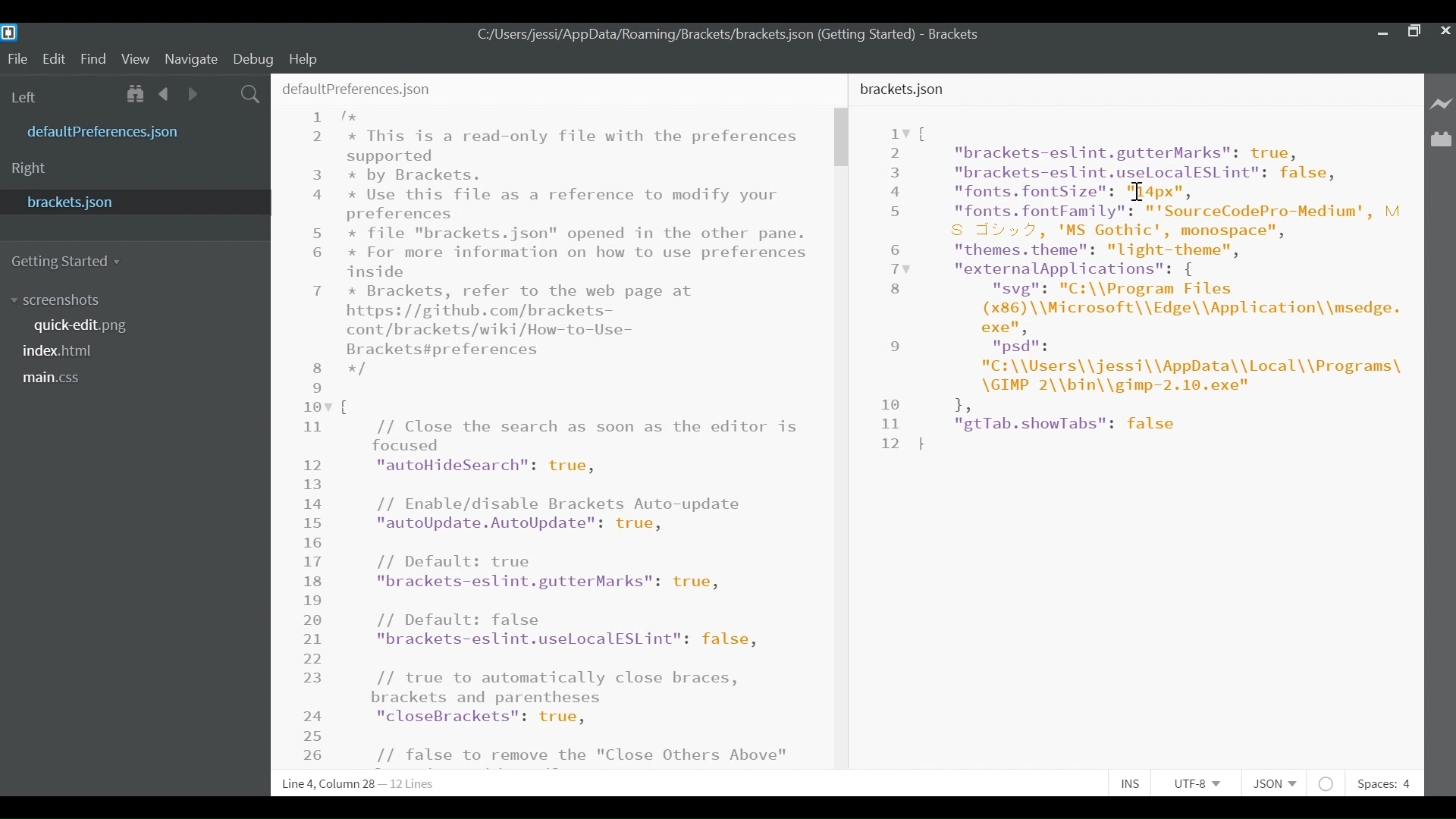 The width and height of the screenshot is (1456, 819). What do you see at coordinates (30, 168) in the screenshot?
I see `Right` at bounding box center [30, 168].